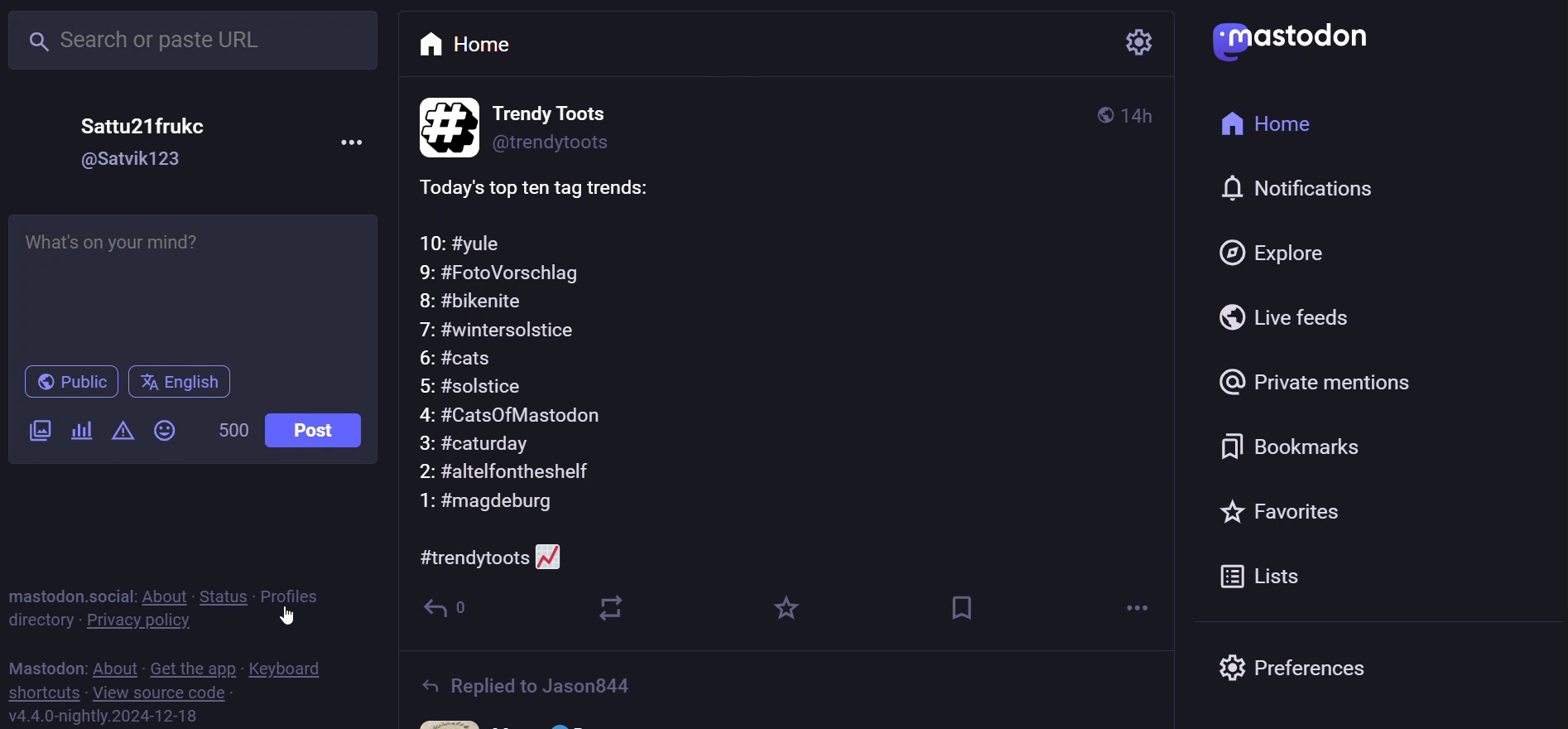 The image size is (1568, 729). I want to click on emoji, so click(164, 430).